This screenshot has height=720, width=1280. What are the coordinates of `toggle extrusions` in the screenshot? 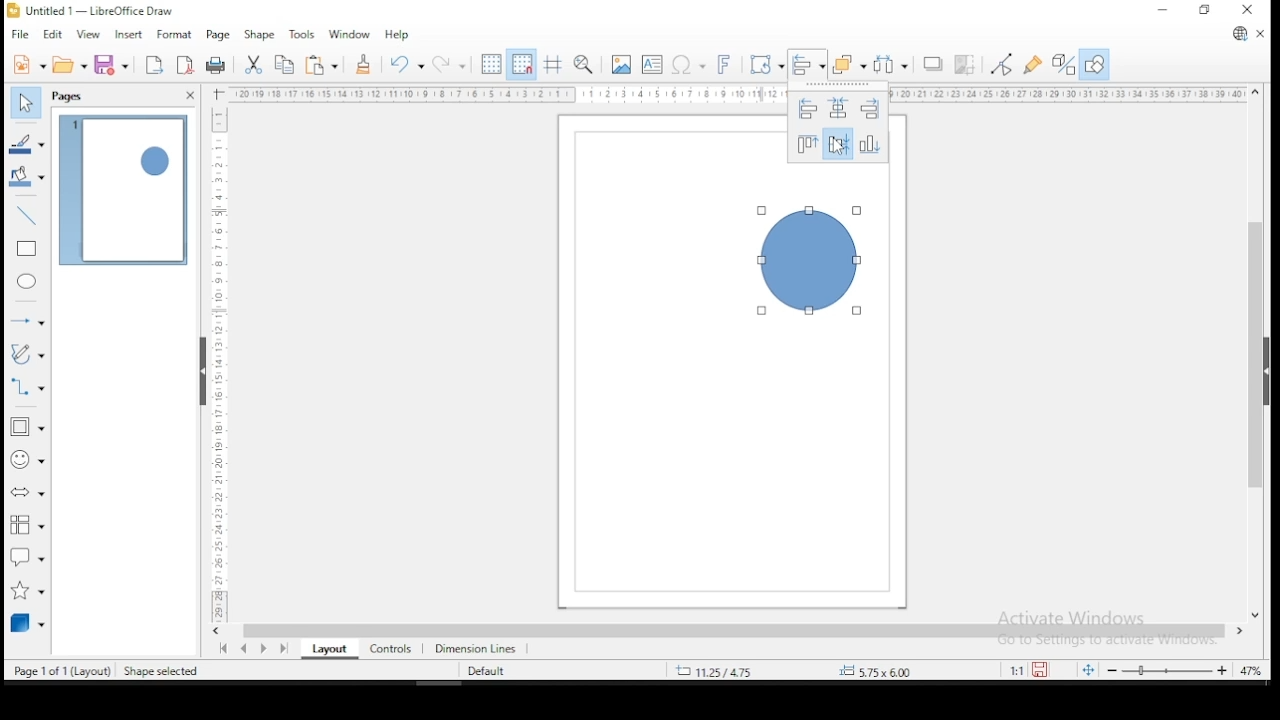 It's located at (1064, 66).